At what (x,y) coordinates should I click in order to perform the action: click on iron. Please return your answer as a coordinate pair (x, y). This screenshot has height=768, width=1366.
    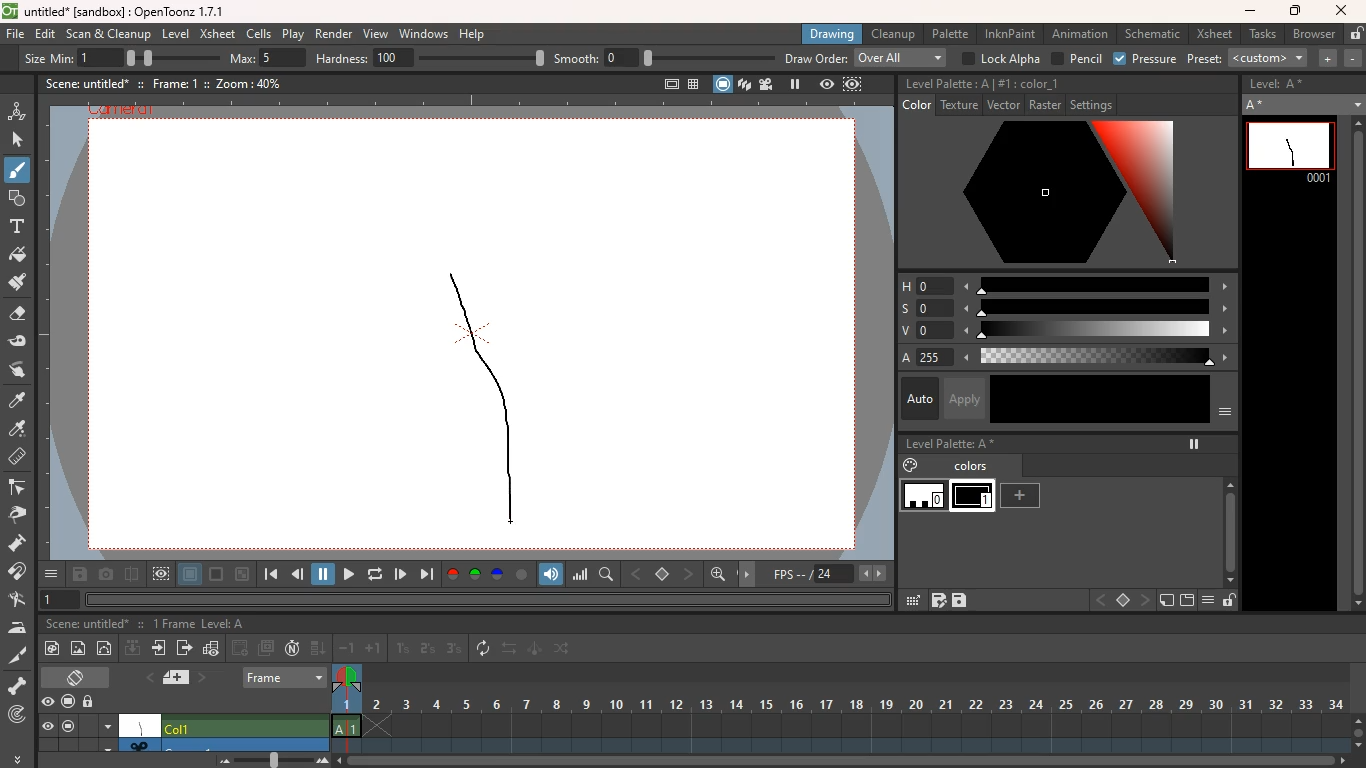
    Looking at the image, I should click on (21, 628).